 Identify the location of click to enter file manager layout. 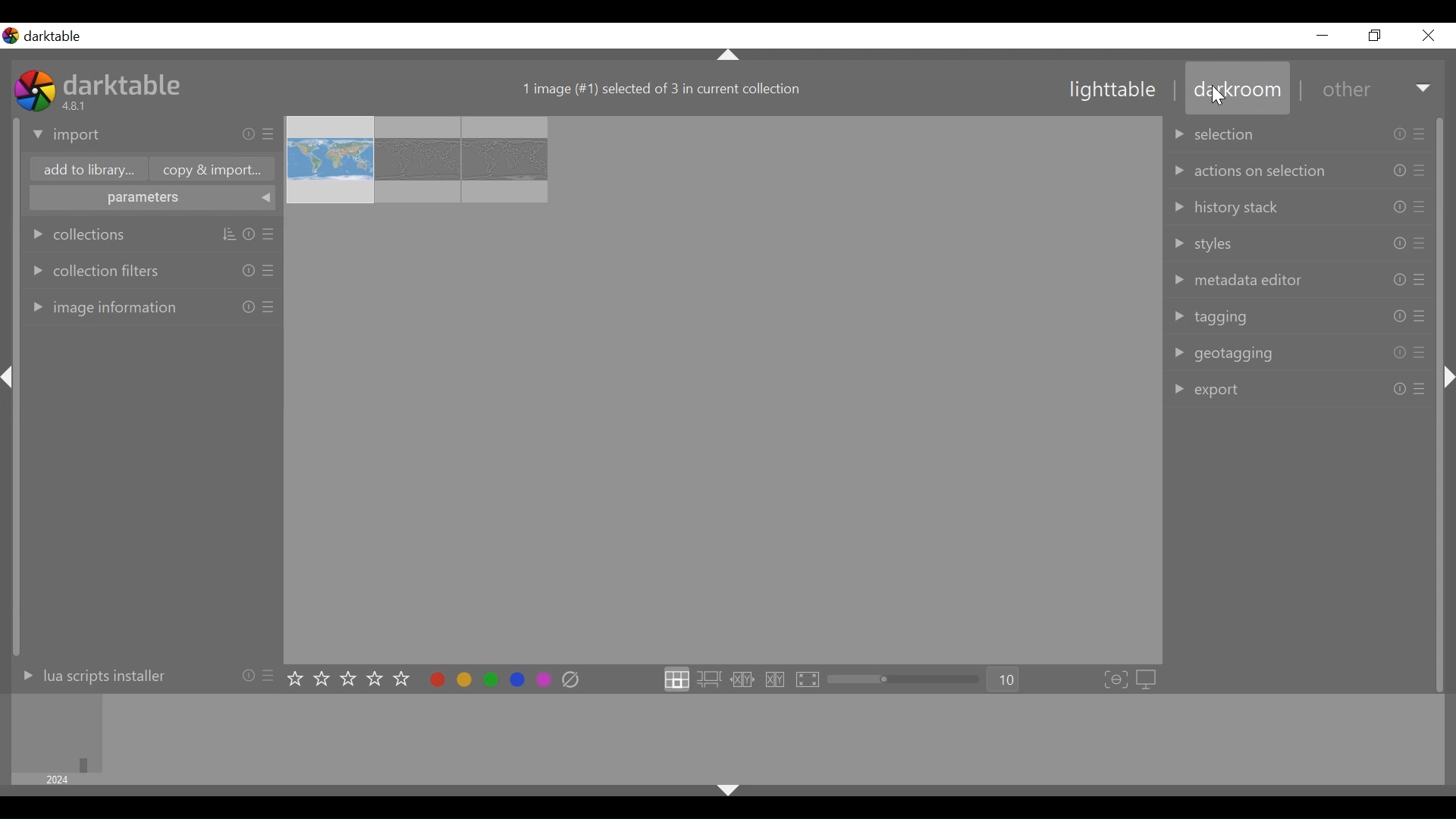
(676, 679).